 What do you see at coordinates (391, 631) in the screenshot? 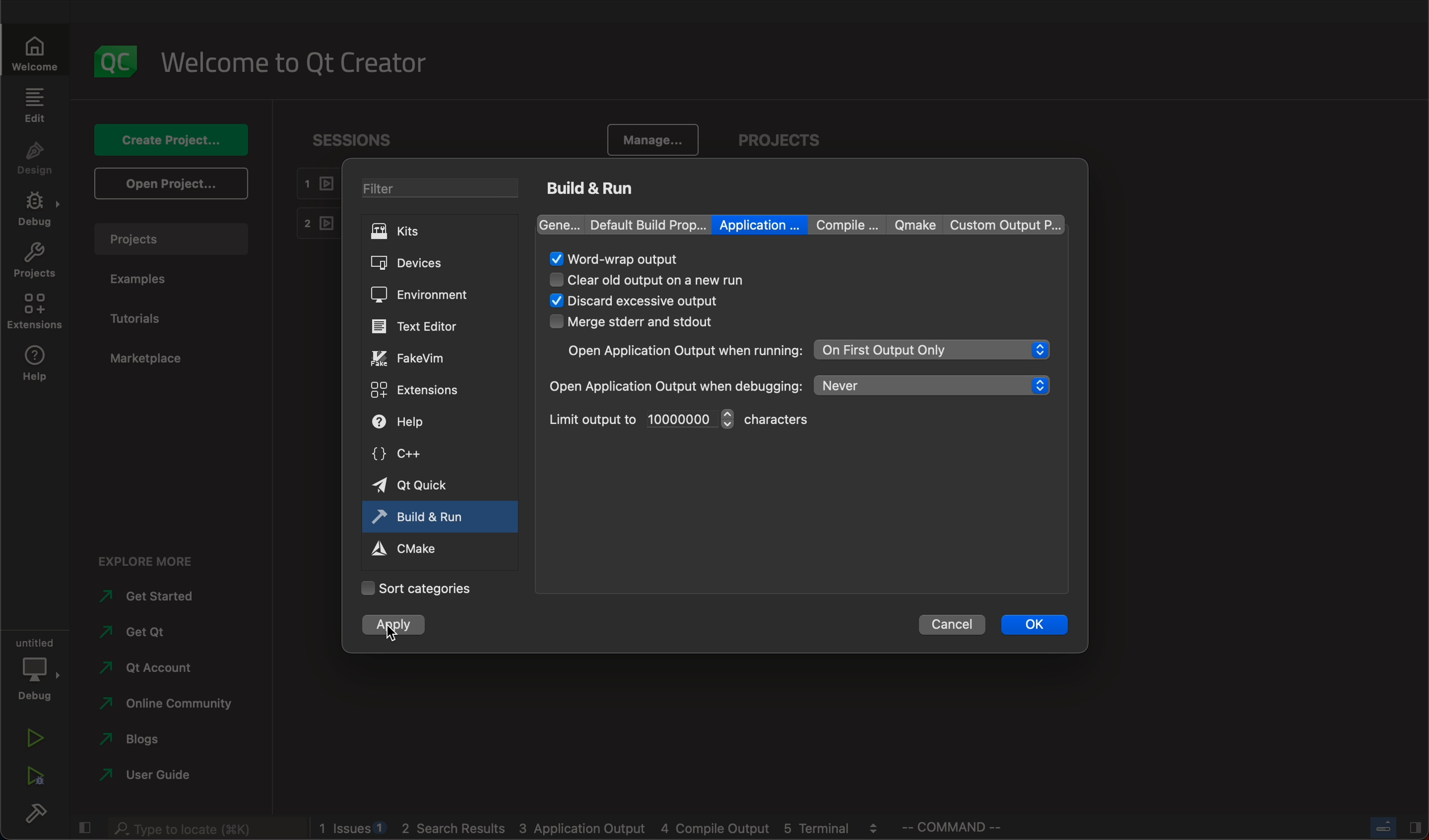
I see `cursor` at bounding box center [391, 631].